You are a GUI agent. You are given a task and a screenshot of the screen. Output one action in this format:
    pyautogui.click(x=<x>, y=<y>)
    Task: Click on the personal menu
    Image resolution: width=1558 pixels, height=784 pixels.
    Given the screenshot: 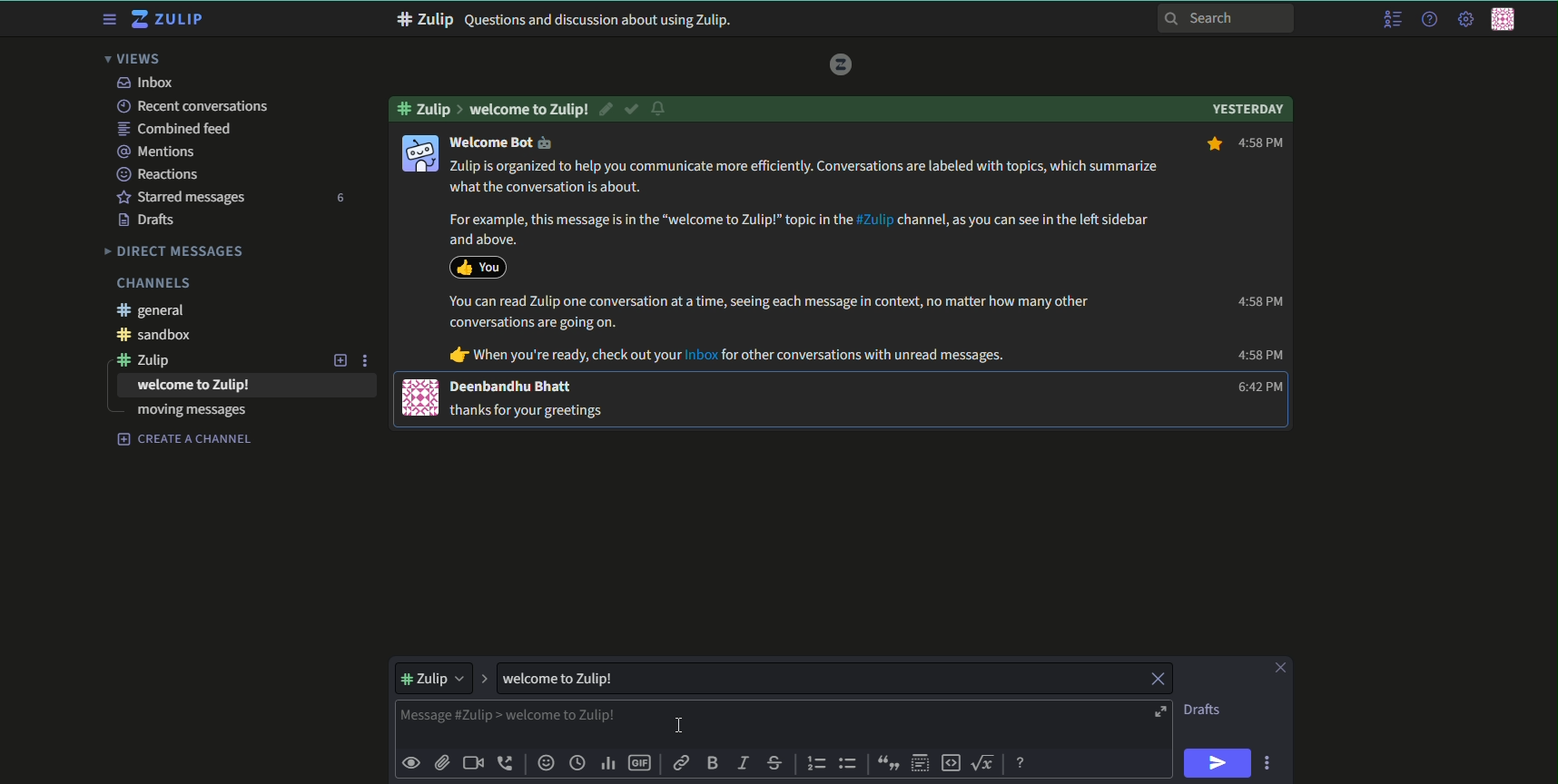 What is the action you would take?
    pyautogui.click(x=1506, y=21)
    